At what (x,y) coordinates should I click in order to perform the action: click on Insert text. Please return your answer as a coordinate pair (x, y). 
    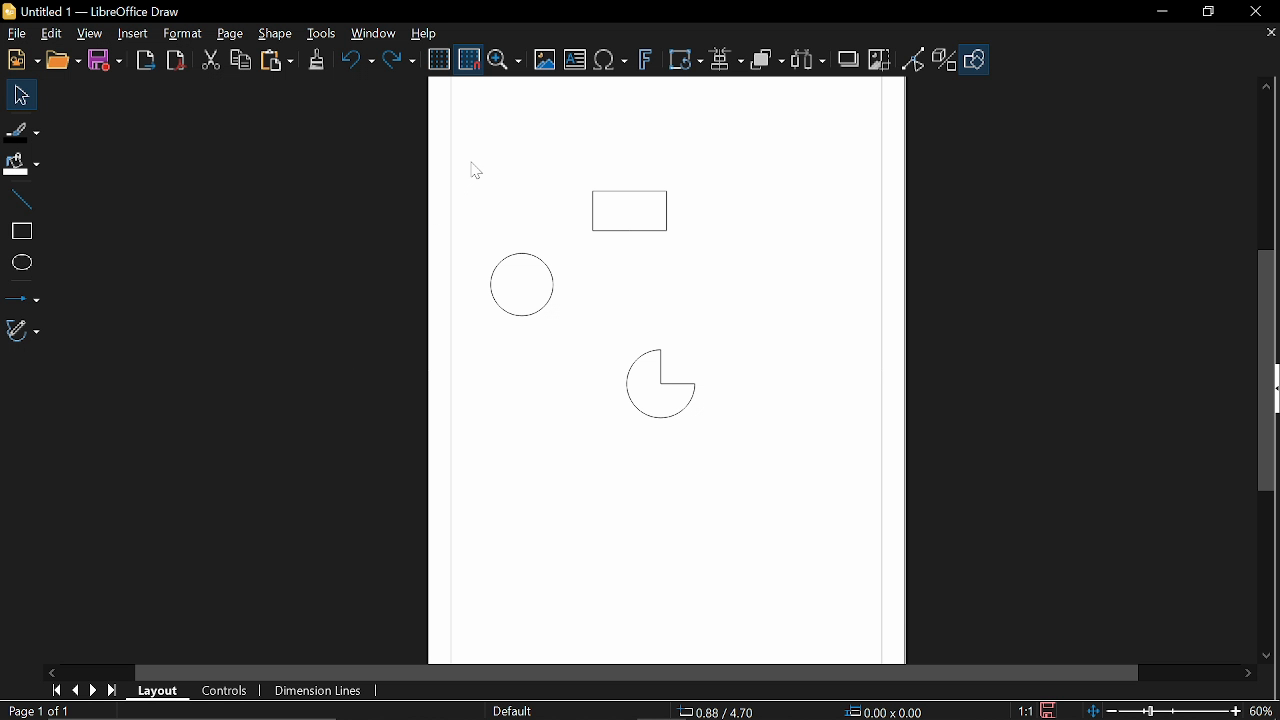
    Looking at the image, I should click on (574, 60).